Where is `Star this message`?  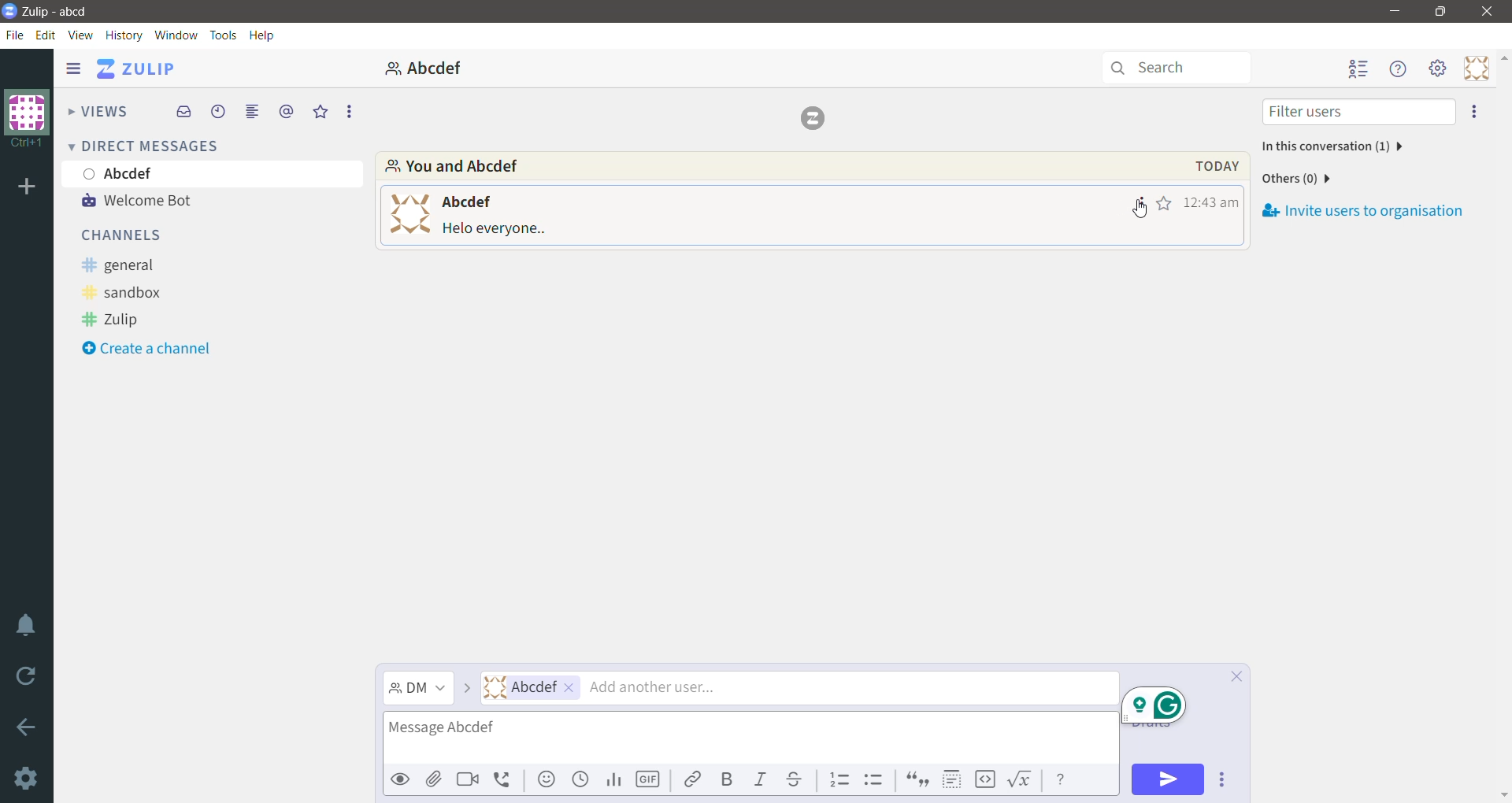 Star this message is located at coordinates (1165, 202).